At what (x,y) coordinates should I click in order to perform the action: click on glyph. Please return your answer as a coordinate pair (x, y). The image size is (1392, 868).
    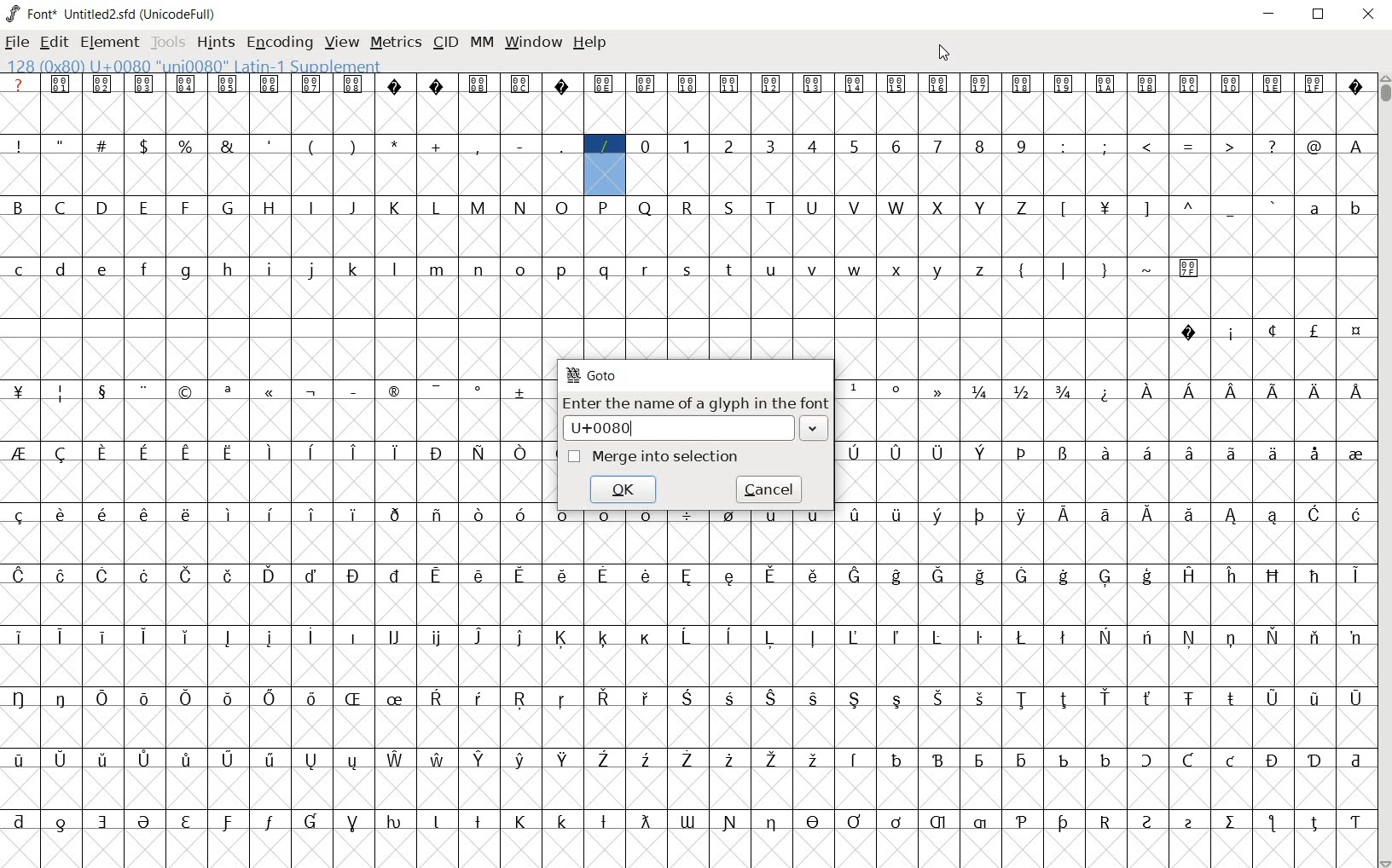
    Looking at the image, I should click on (270, 575).